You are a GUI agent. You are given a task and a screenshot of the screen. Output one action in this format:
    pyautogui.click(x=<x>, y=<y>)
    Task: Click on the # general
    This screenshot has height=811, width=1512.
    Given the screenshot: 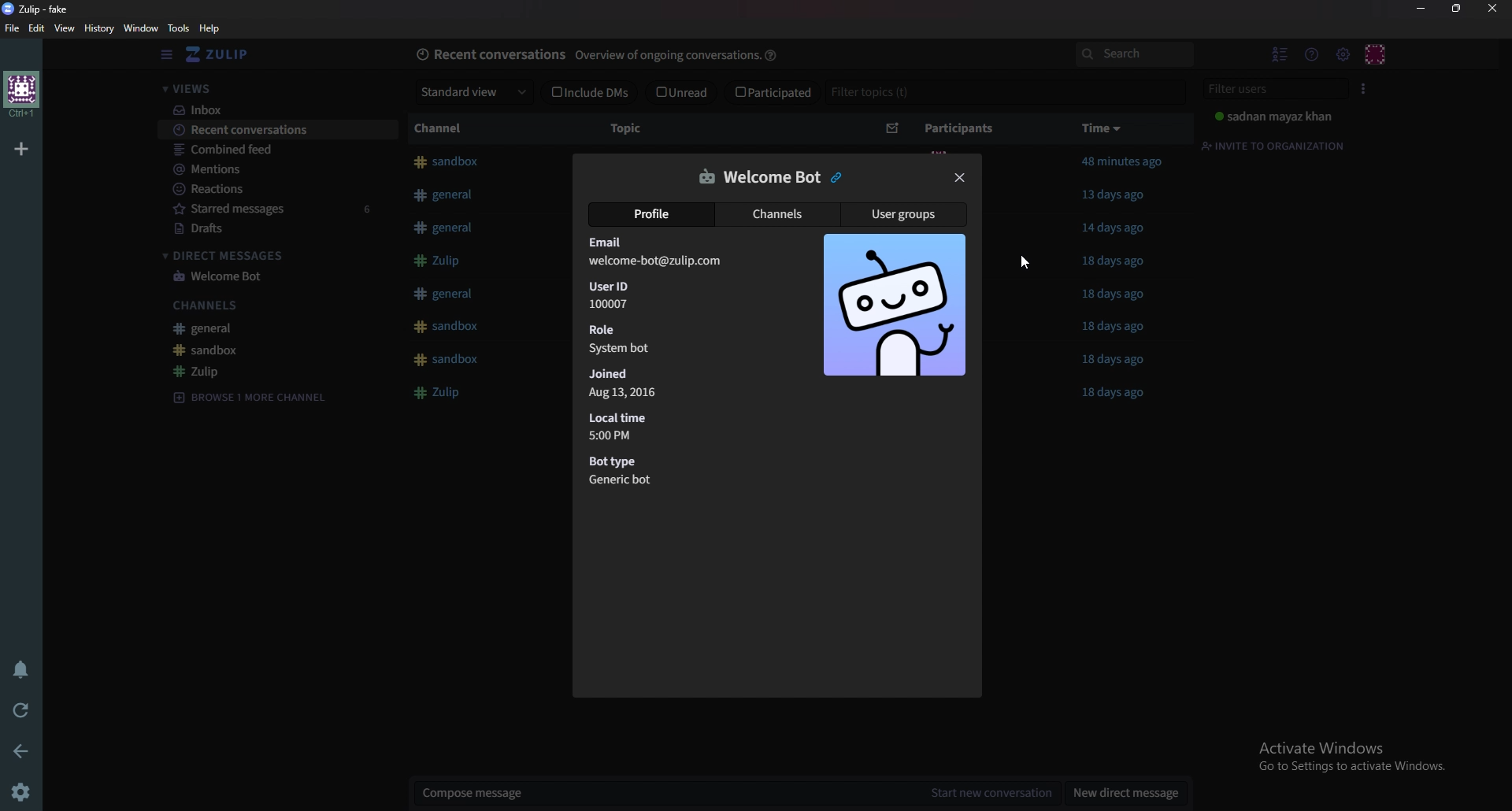 What is the action you would take?
    pyautogui.click(x=446, y=293)
    